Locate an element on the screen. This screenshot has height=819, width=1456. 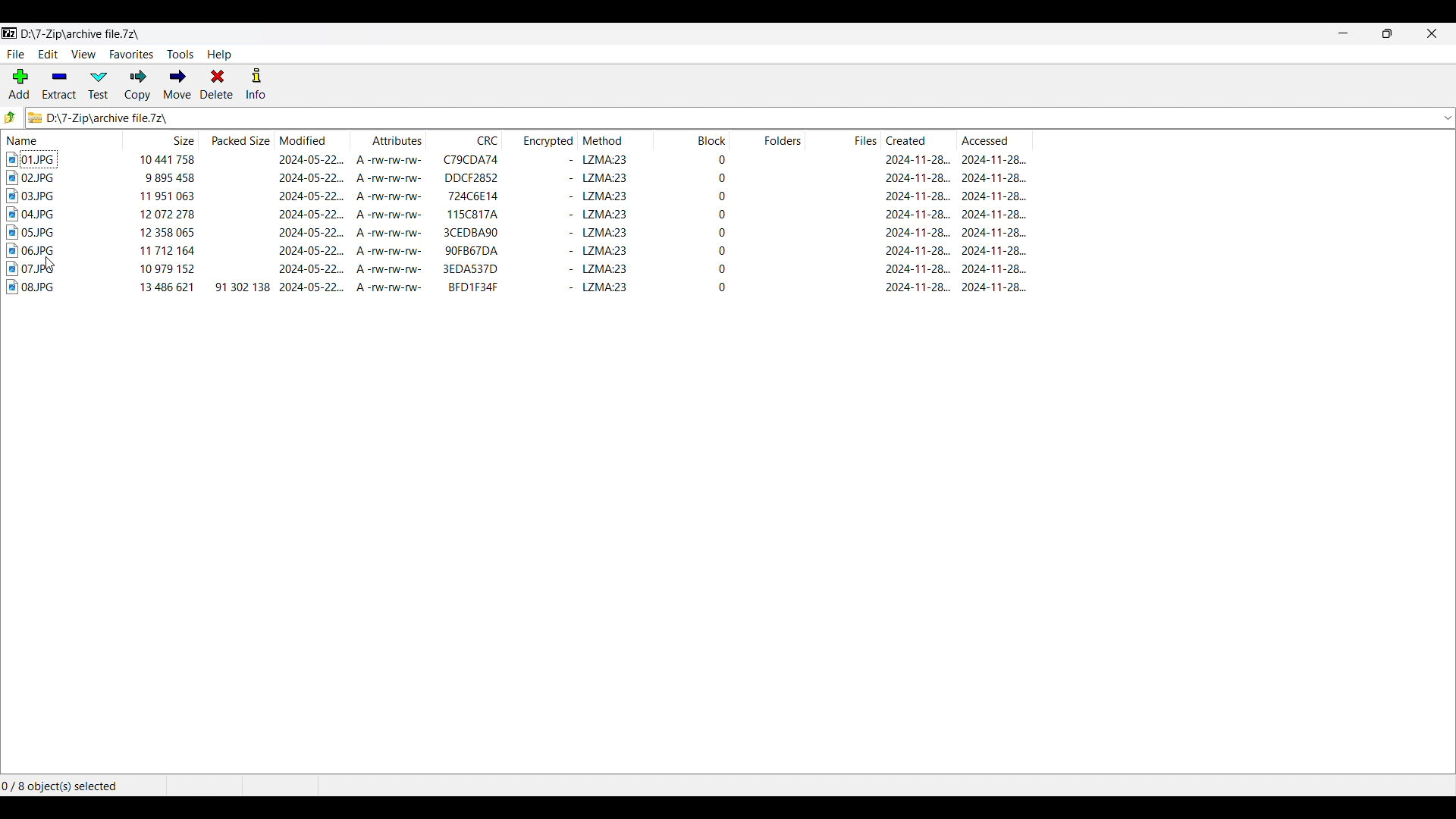
View menu is located at coordinates (84, 55).